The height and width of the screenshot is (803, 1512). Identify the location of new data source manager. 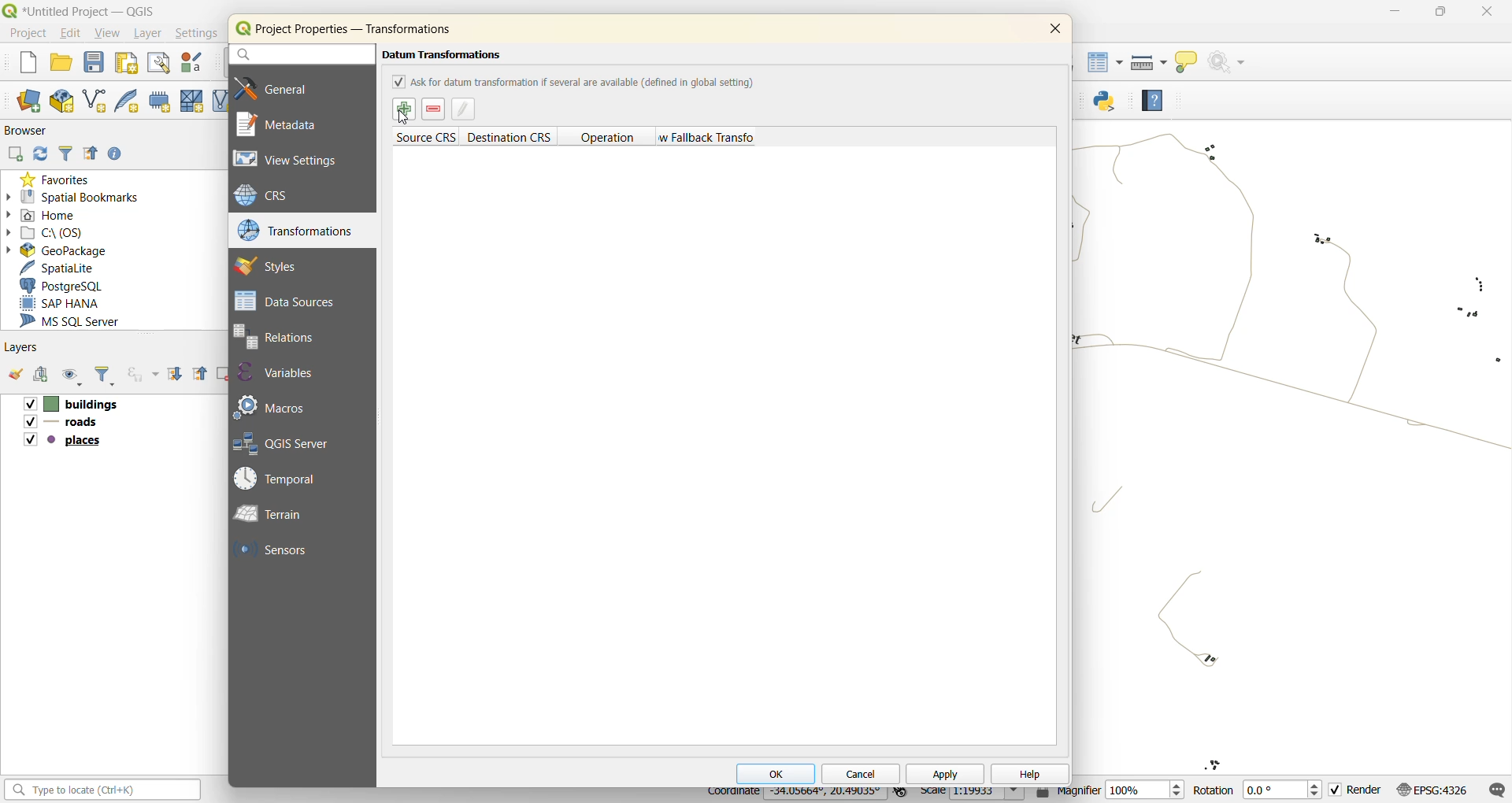
(33, 102).